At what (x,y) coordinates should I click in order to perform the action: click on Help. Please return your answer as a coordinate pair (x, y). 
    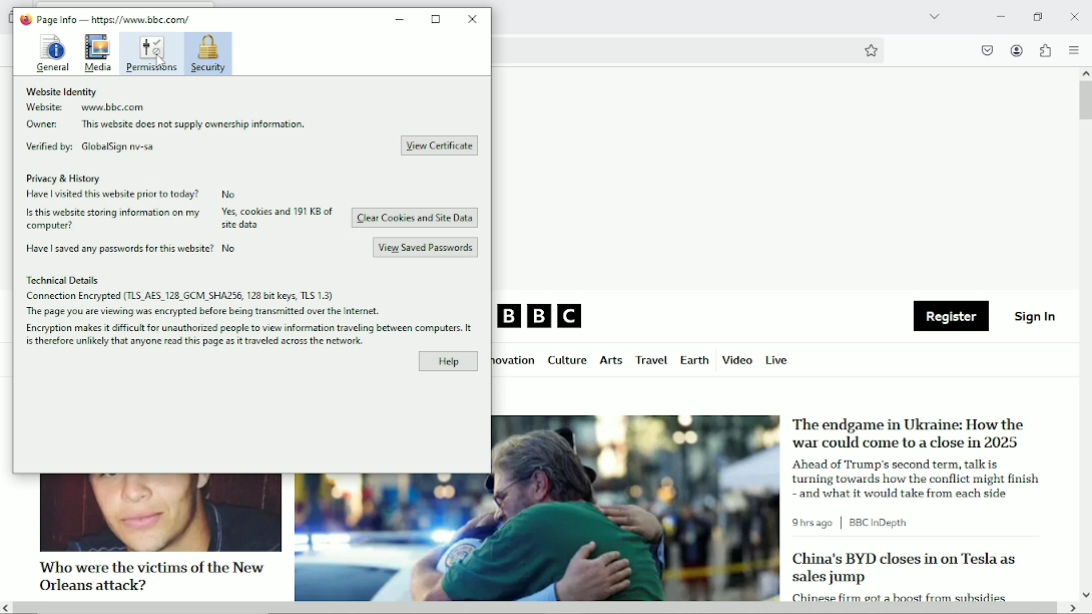
    Looking at the image, I should click on (449, 360).